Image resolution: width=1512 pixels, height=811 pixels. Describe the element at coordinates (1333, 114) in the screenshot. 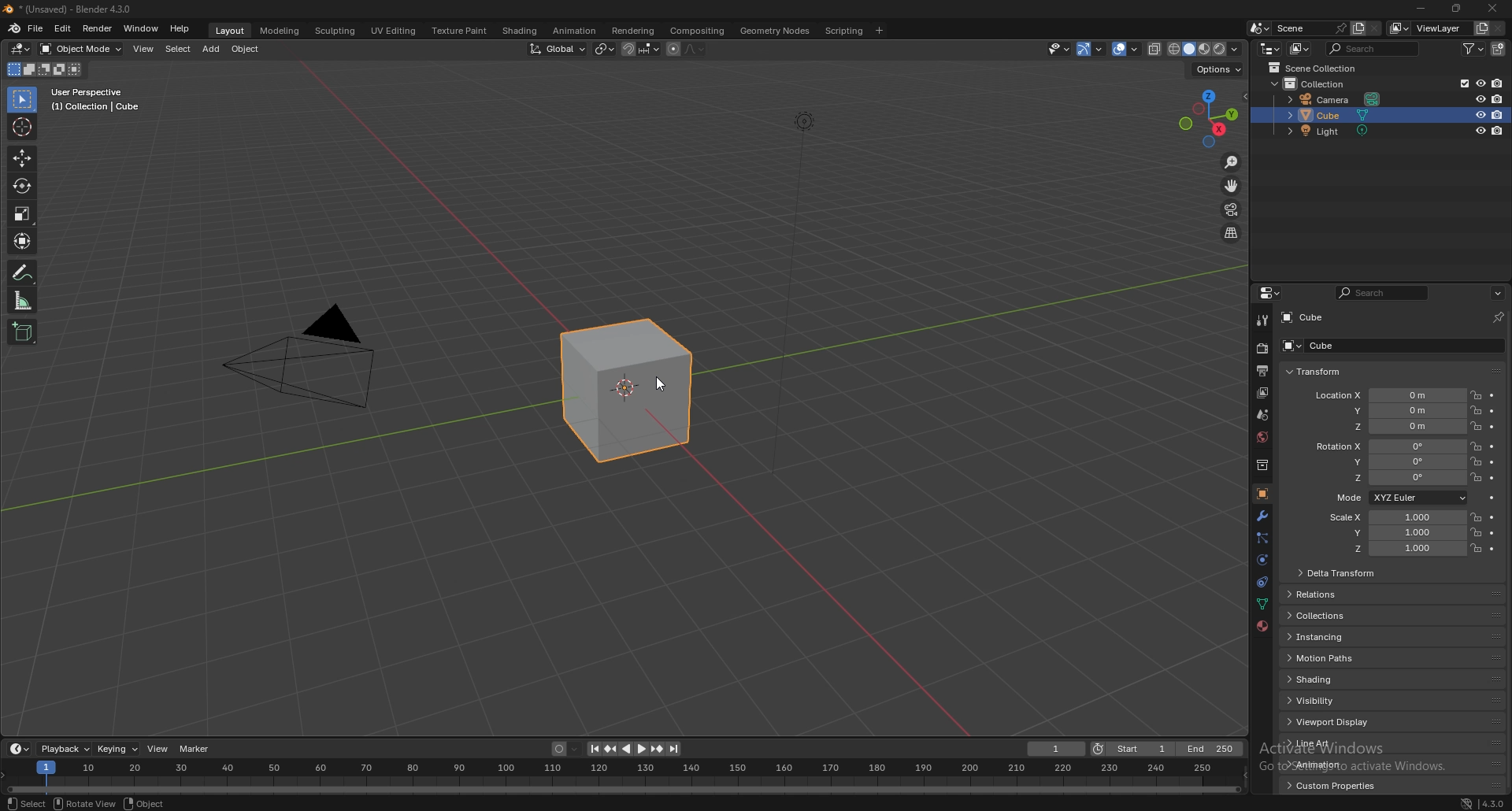

I see `cube` at that location.